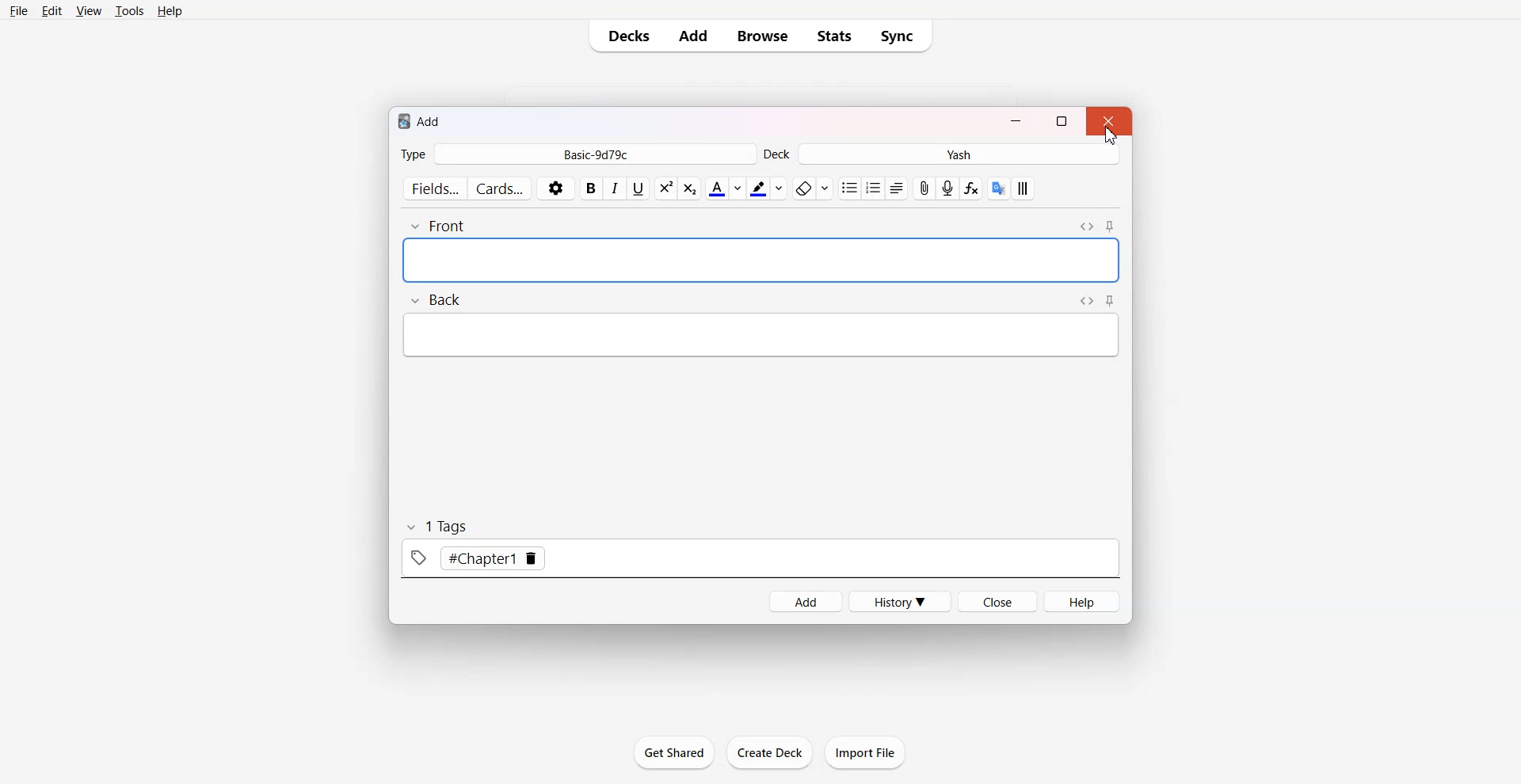  Describe the element at coordinates (1109, 226) in the screenshot. I see `Toggle Sticky` at that location.